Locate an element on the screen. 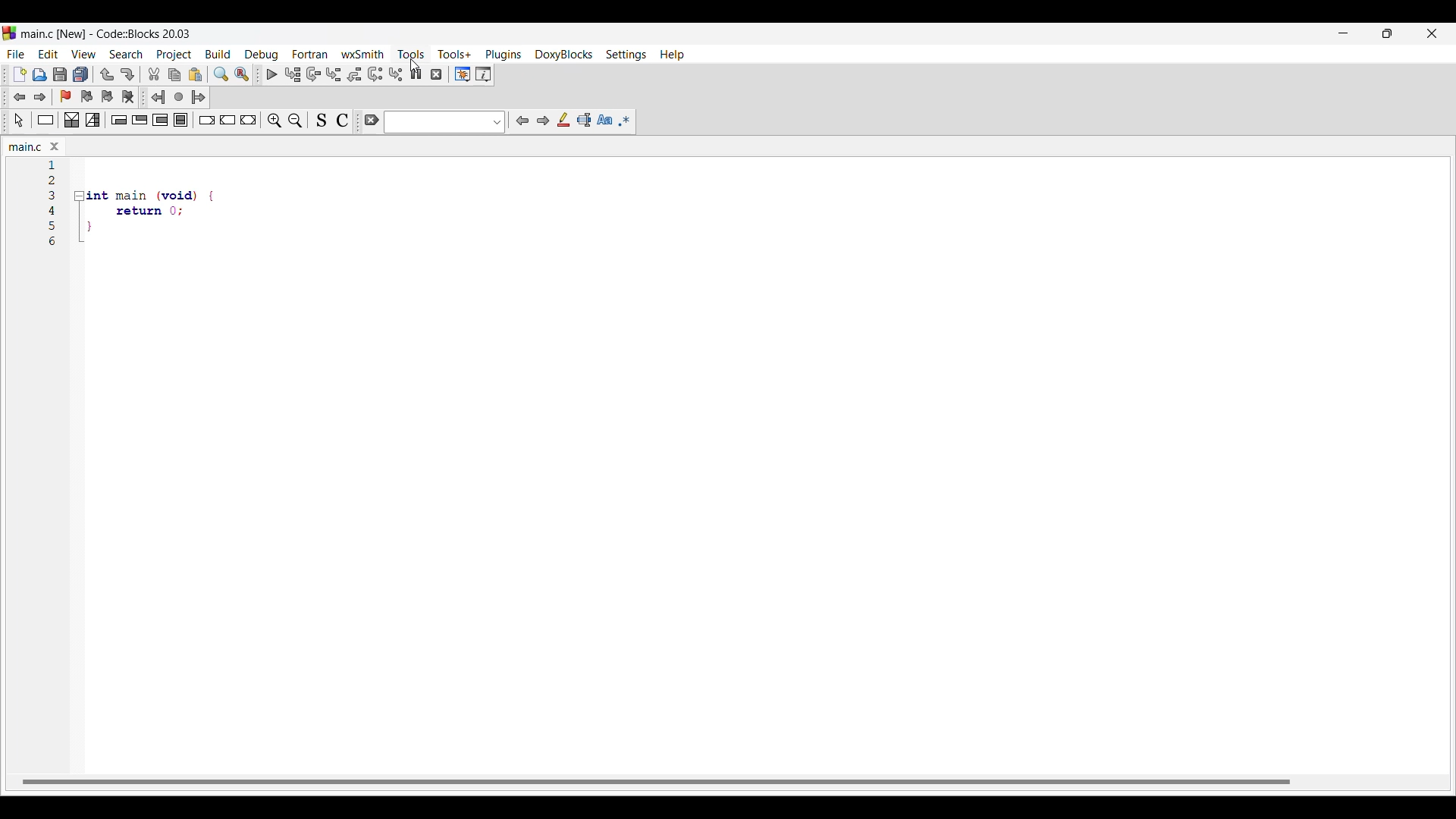 The height and width of the screenshot is (819, 1456). Toggle bookmark is located at coordinates (65, 97).